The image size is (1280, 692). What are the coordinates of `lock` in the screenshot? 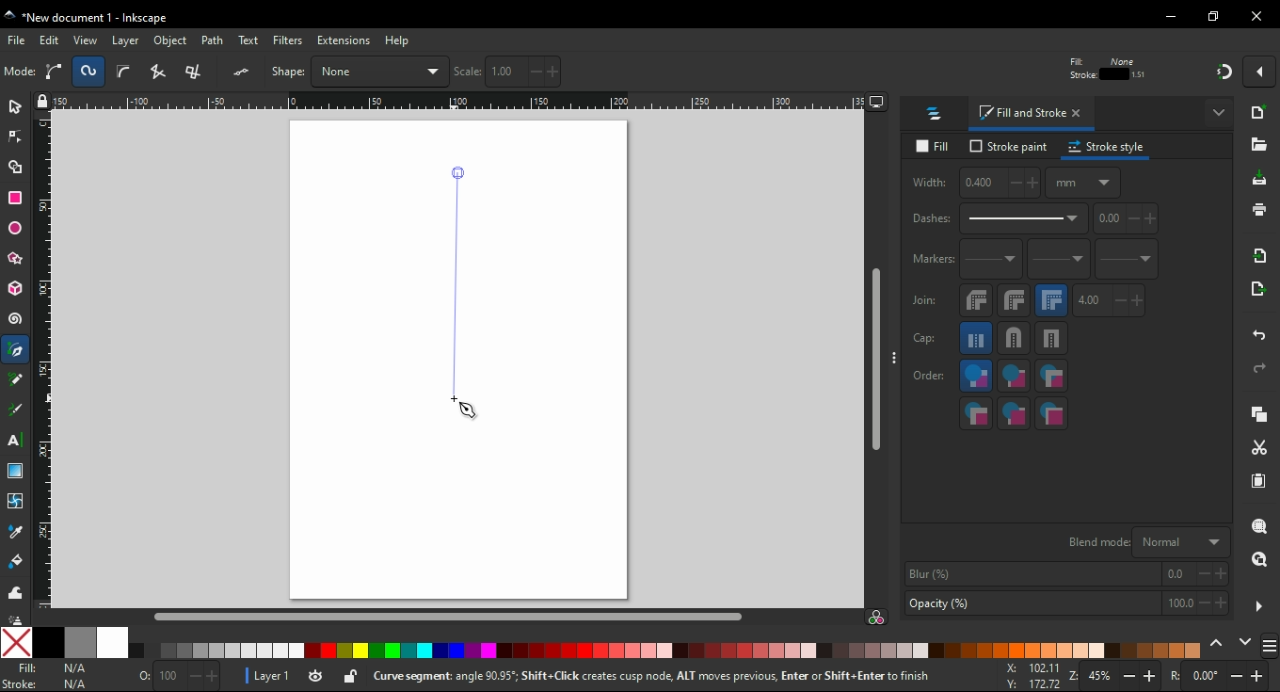 It's located at (844, 72).